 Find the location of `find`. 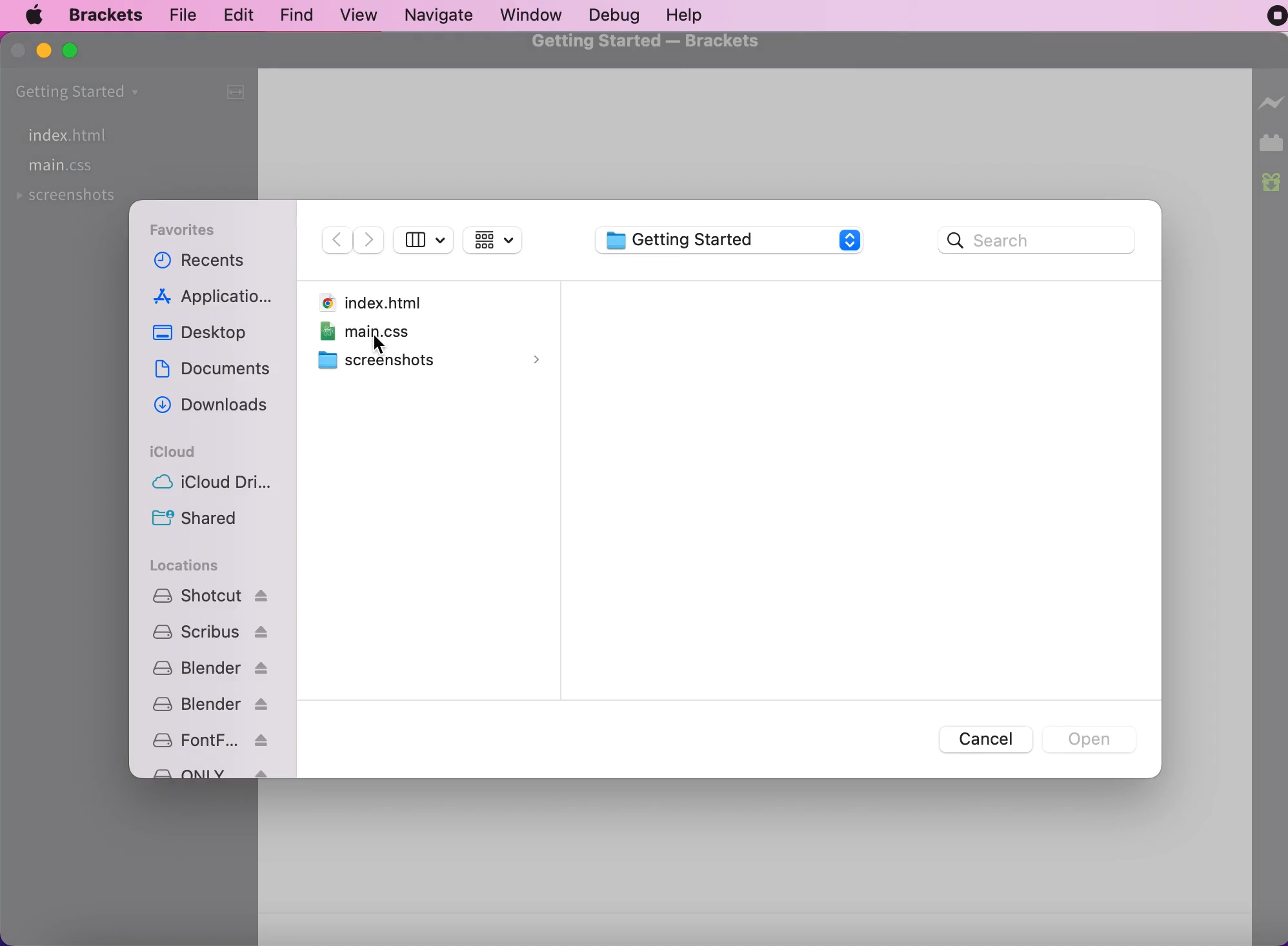

find is located at coordinates (300, 15).